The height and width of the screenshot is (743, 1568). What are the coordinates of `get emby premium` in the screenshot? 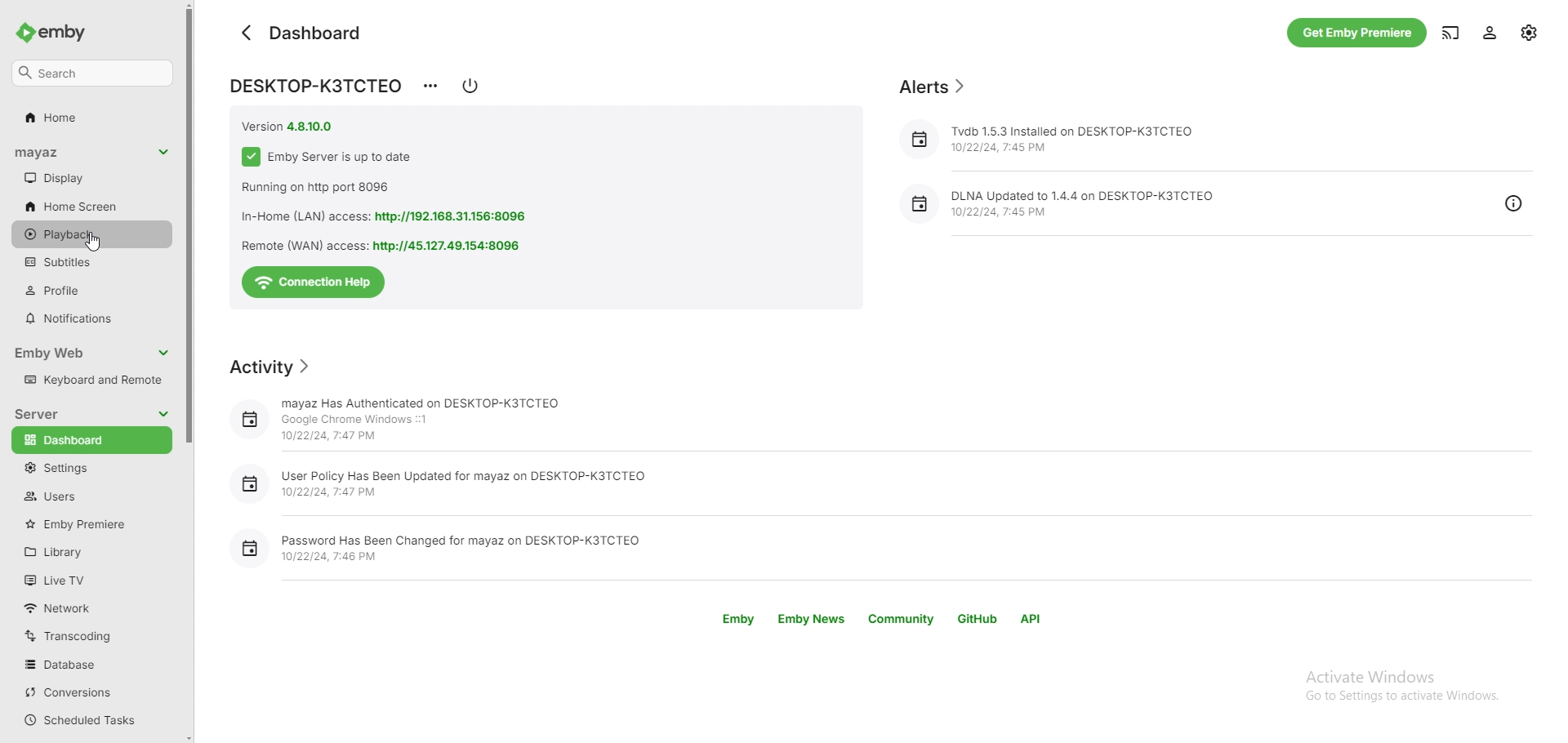 It's located at (1357, 33).